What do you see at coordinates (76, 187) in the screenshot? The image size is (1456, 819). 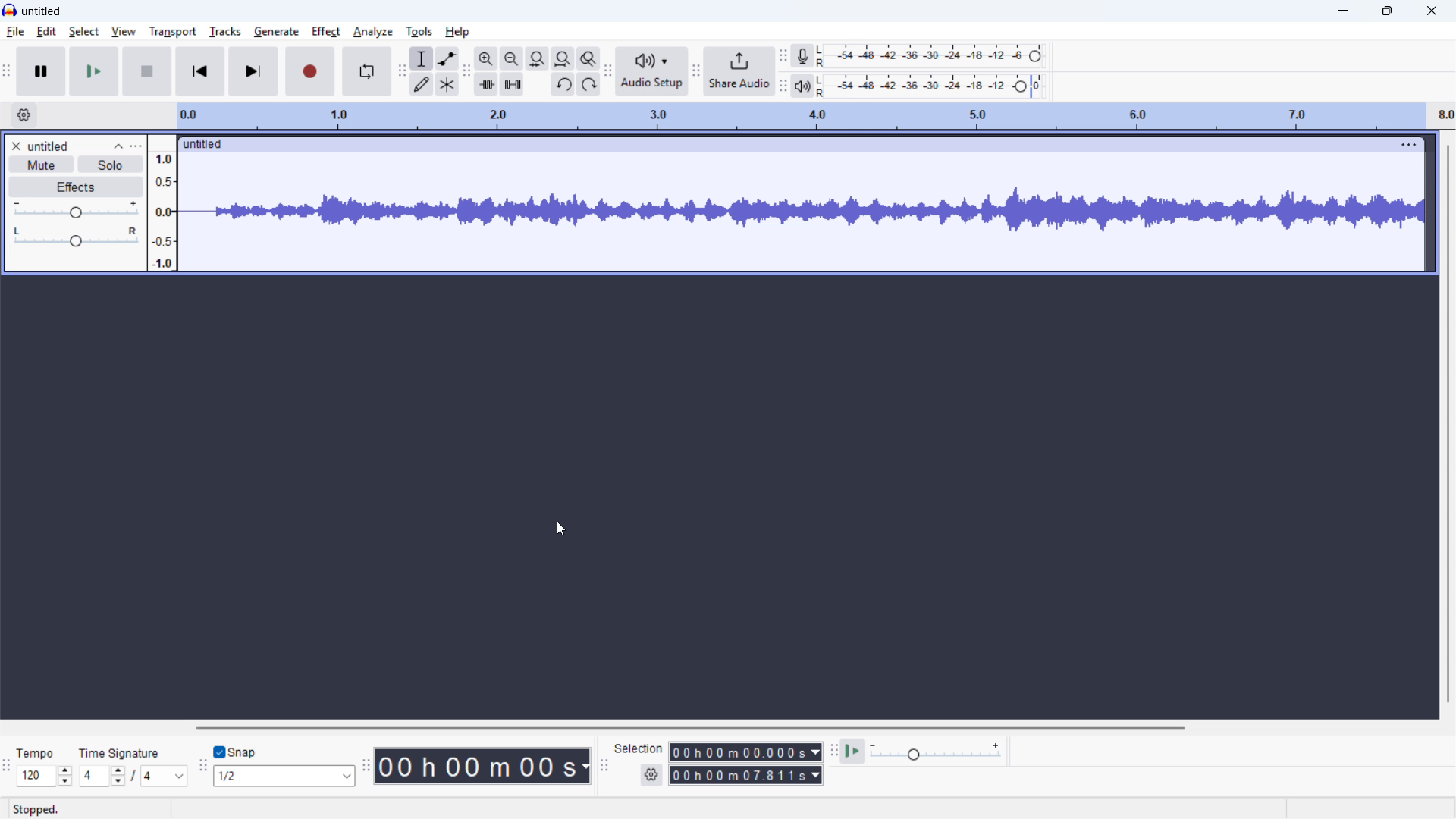 I see `effects` at bounding box center [76, 187].